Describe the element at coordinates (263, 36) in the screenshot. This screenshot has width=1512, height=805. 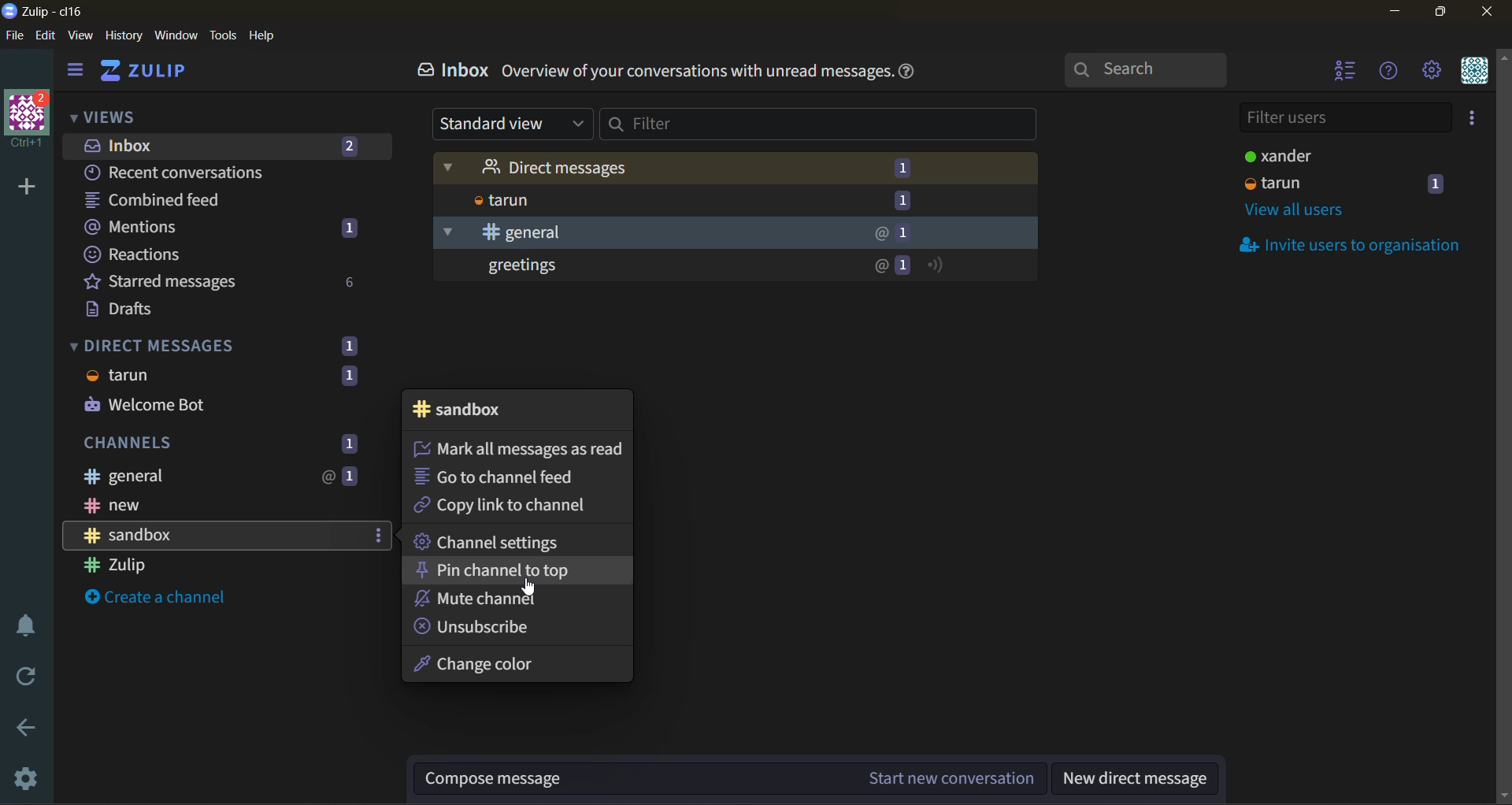
I see `help` at that location.